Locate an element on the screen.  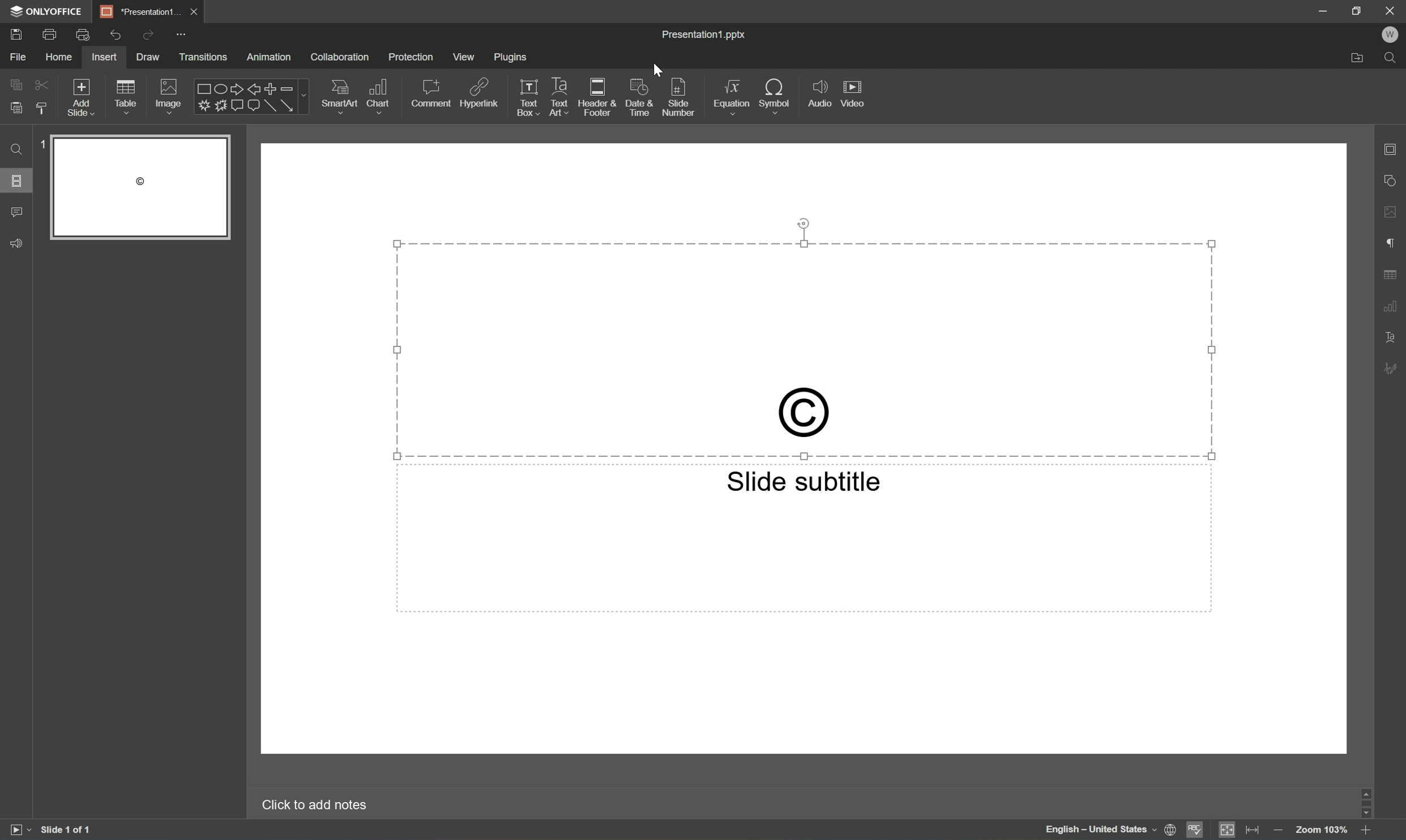
Zoom out is located at coordinates (1277, 833).